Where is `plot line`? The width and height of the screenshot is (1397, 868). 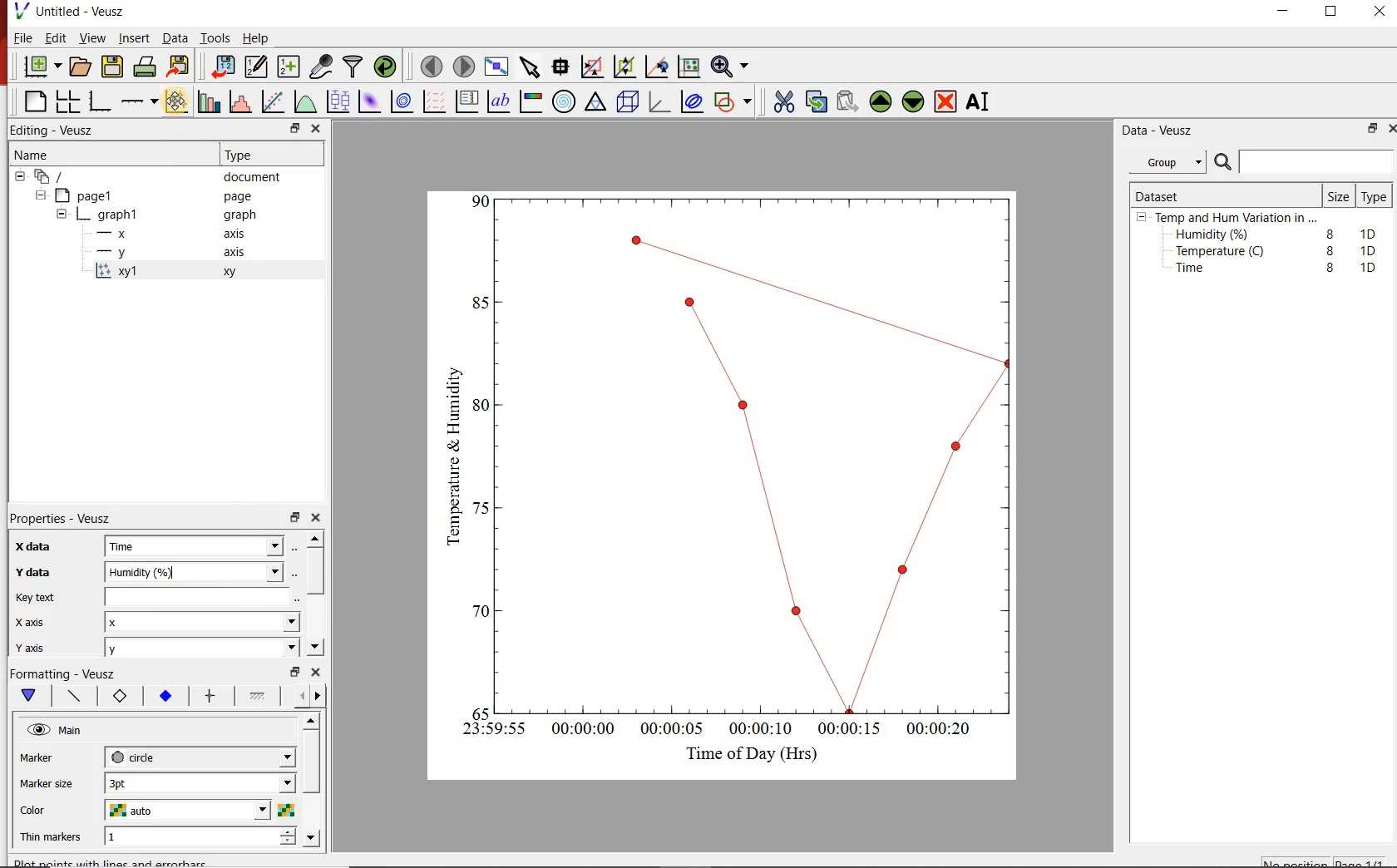 plot line is located at coordinates (75, 697).